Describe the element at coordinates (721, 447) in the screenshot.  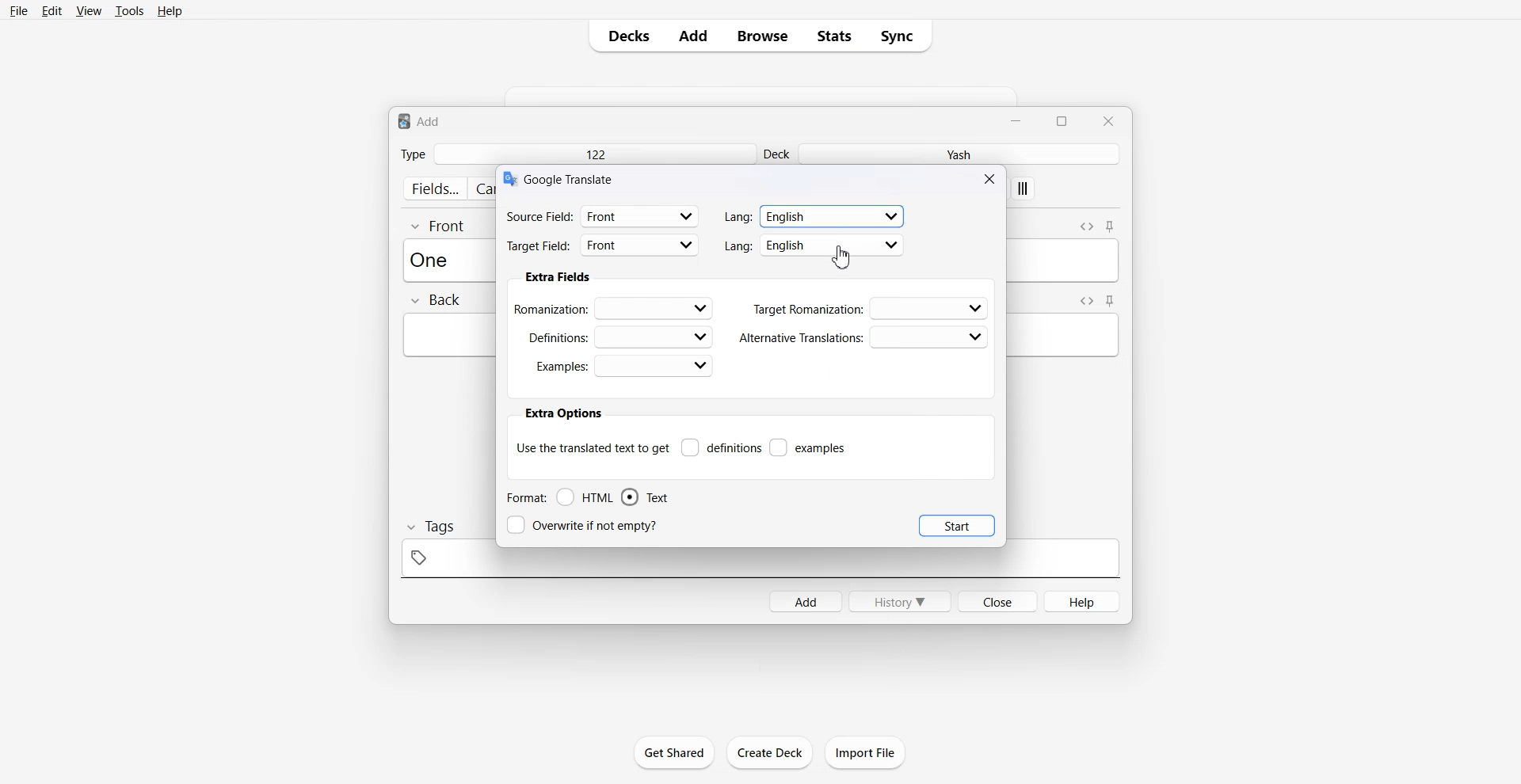
I see `Definitions` at that location.